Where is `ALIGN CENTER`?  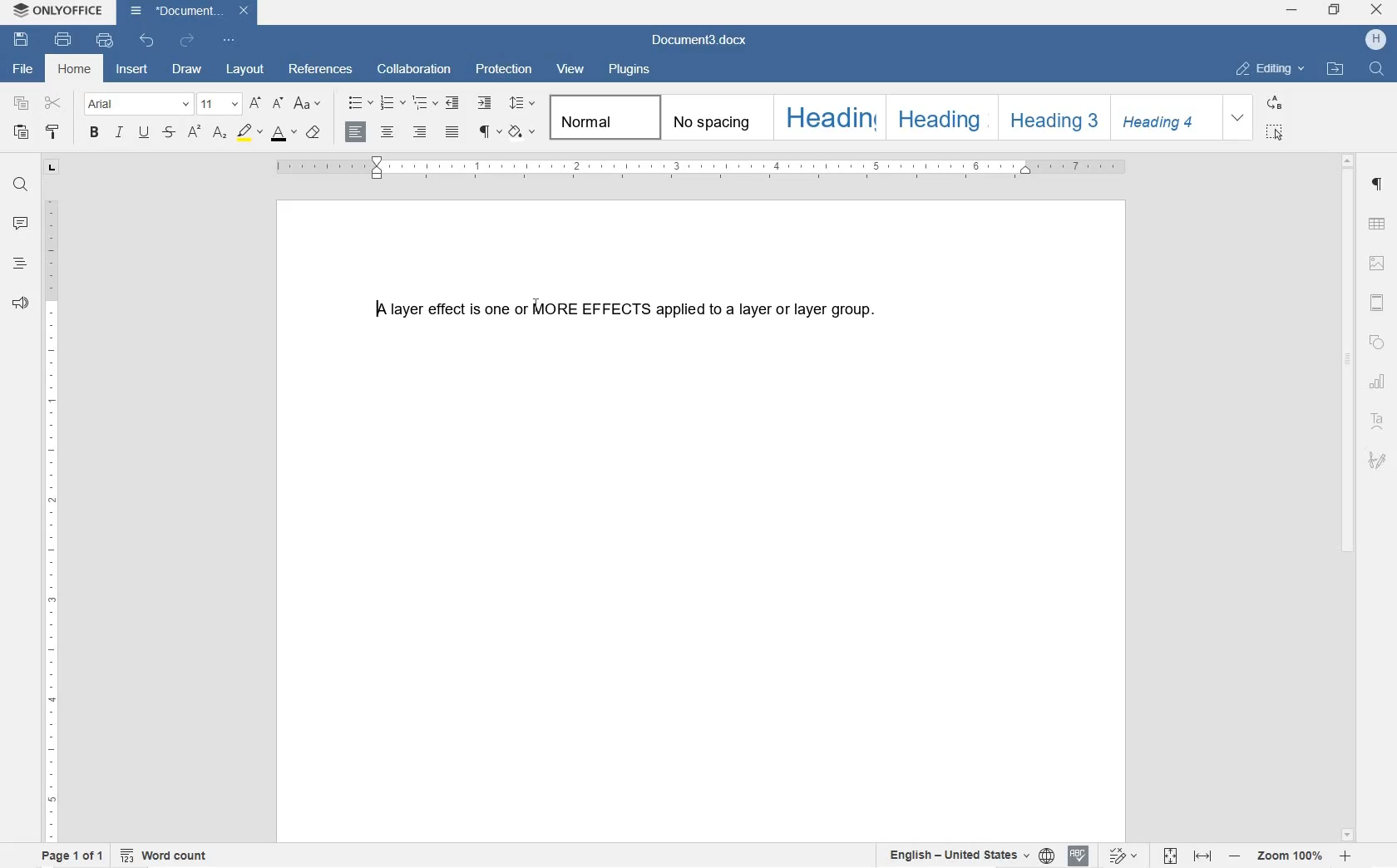 ALIGN CENTER is located at coordinates (387, 133).